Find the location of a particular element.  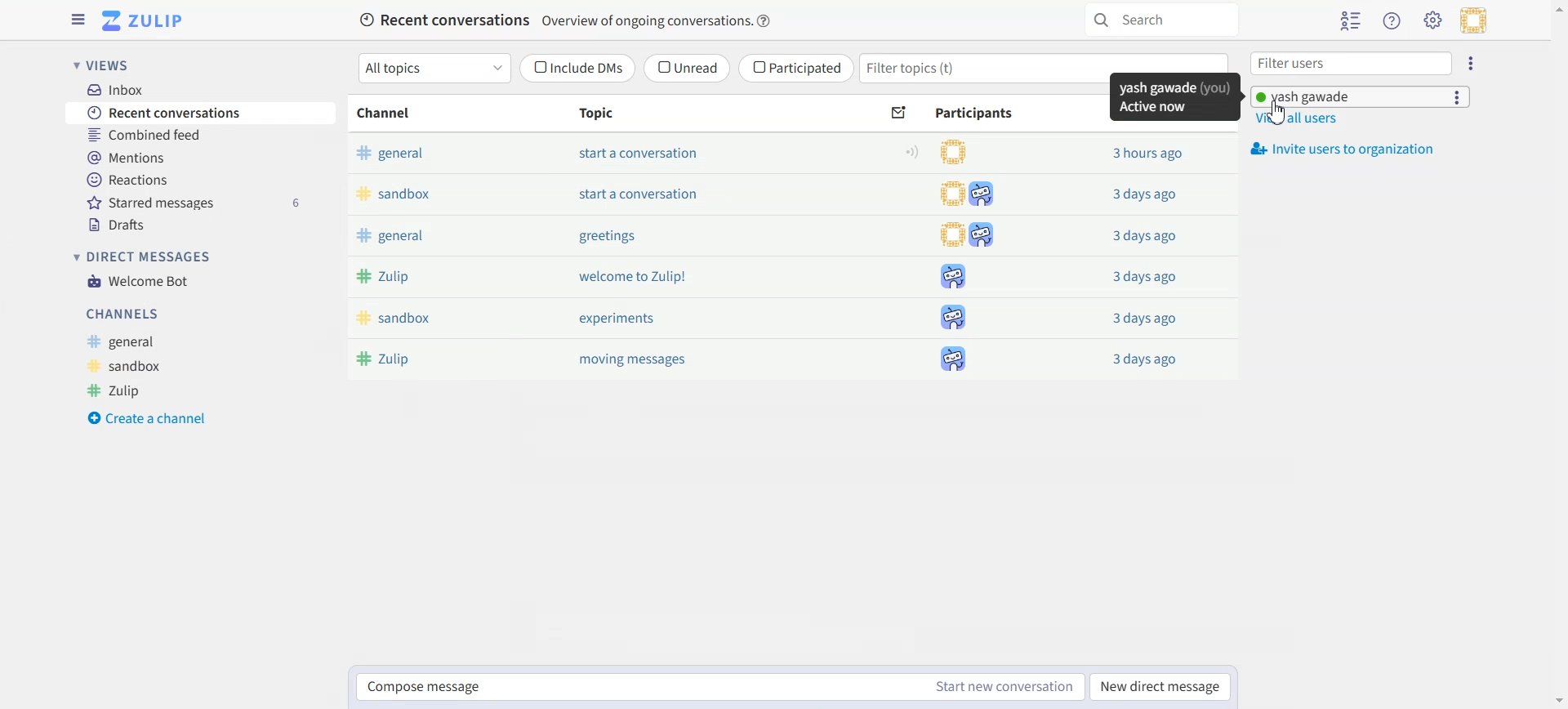

Settings is located at coordinates (1433, 22).